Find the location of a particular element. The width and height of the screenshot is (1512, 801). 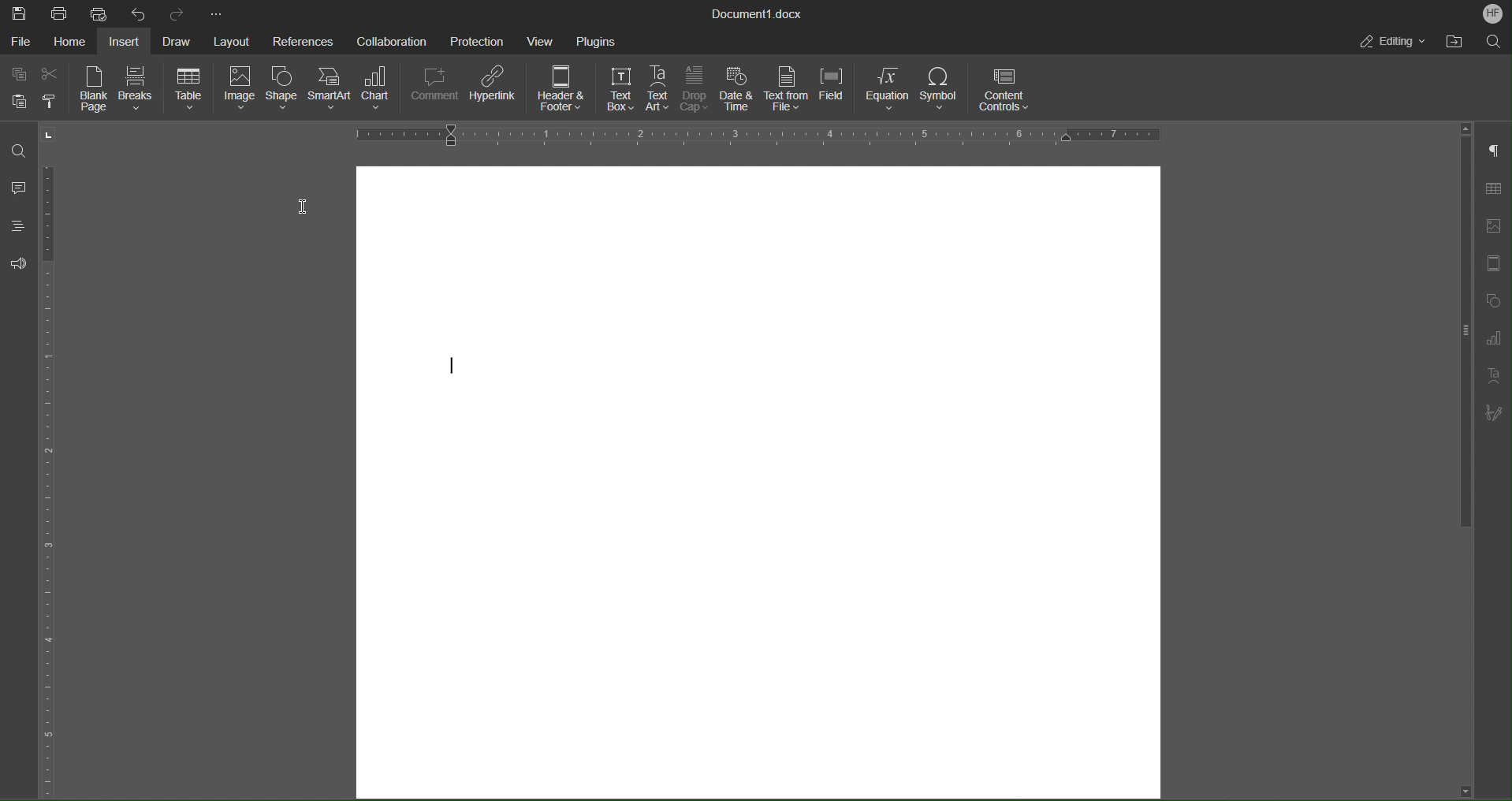

Text Art is located at coordinates (1493, 378).